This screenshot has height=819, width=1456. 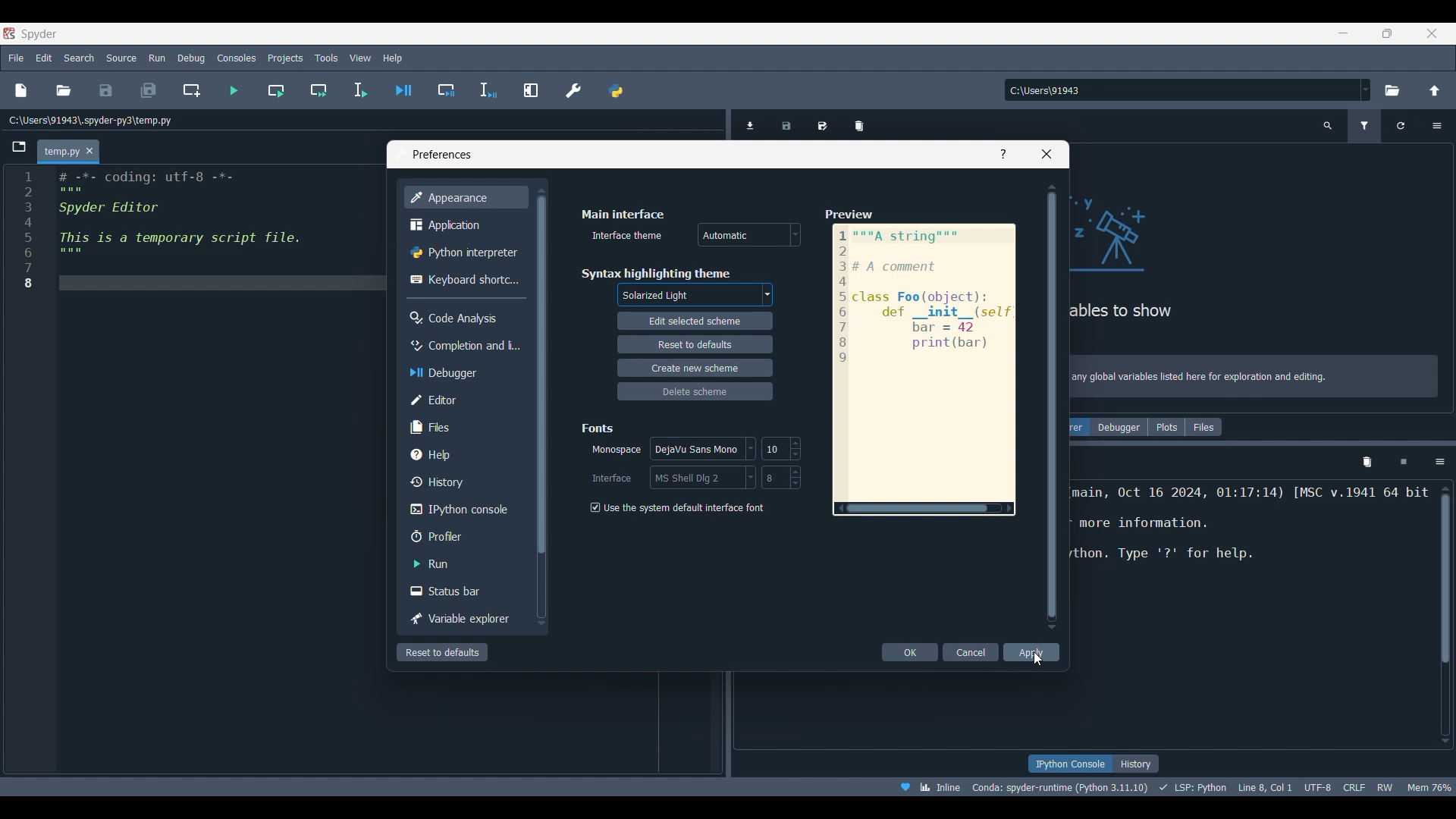 What do you see at coordinates (191, 89) in the screenshot?
I see `Create new cell at current line` at bounding box center [191, 89].